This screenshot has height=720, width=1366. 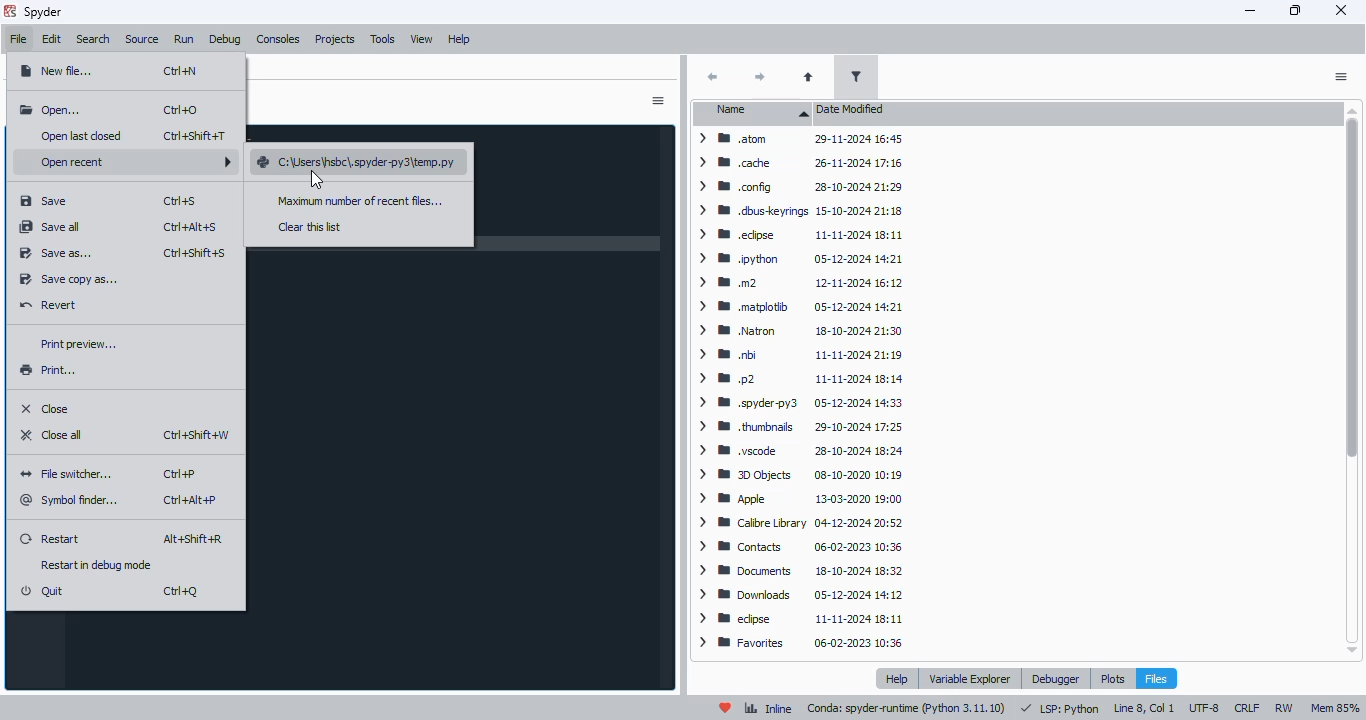 I want to click on > WM Calibre Library 04-12-2024 20:52., so click(x=800, y=524).